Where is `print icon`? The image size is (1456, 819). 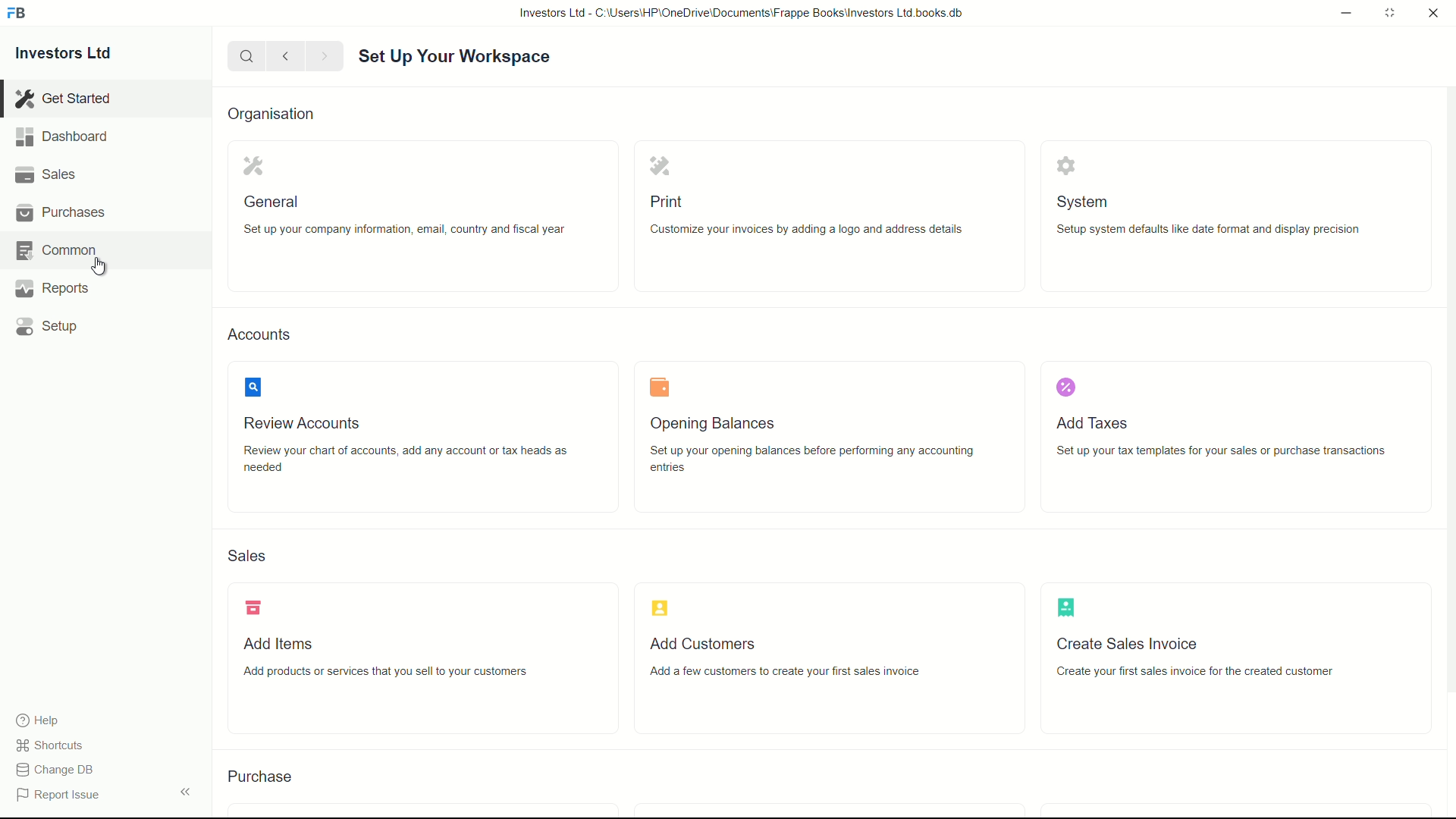 print icon is located at coordinates (655, 166).